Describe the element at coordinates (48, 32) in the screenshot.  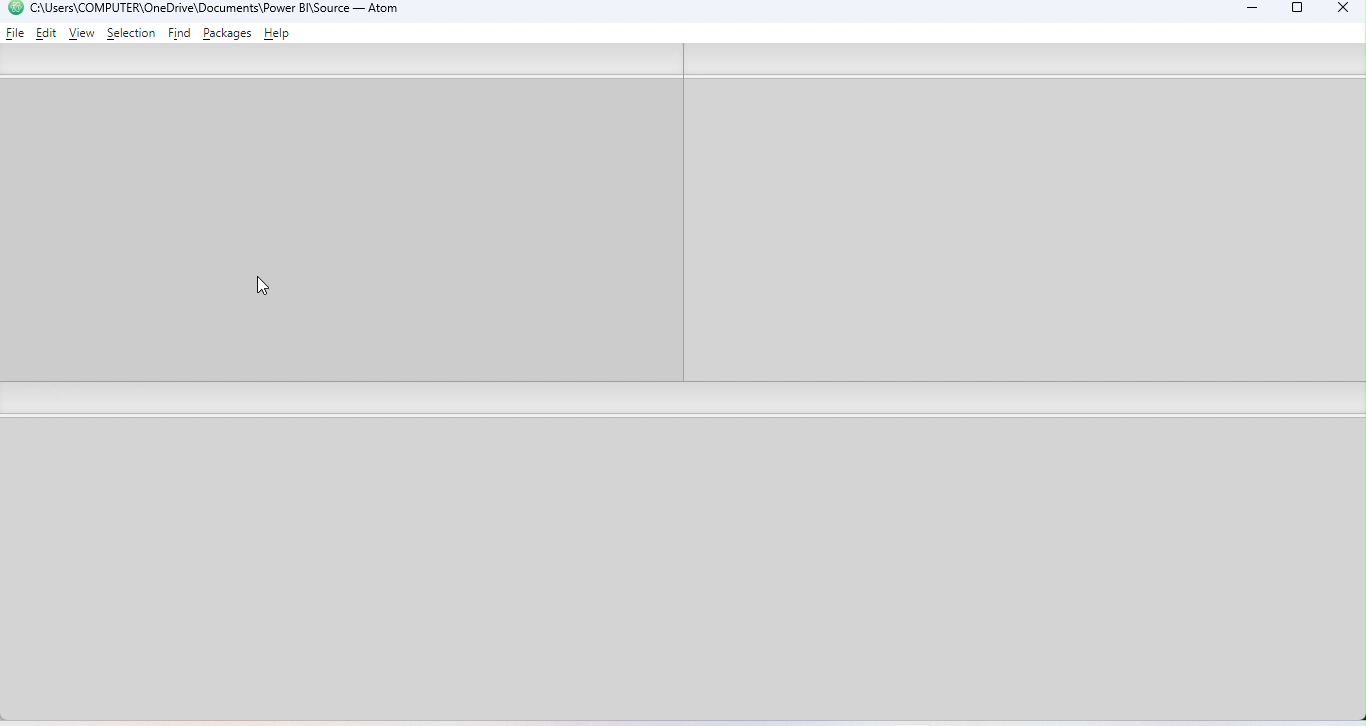
I see `Edit` at that location.